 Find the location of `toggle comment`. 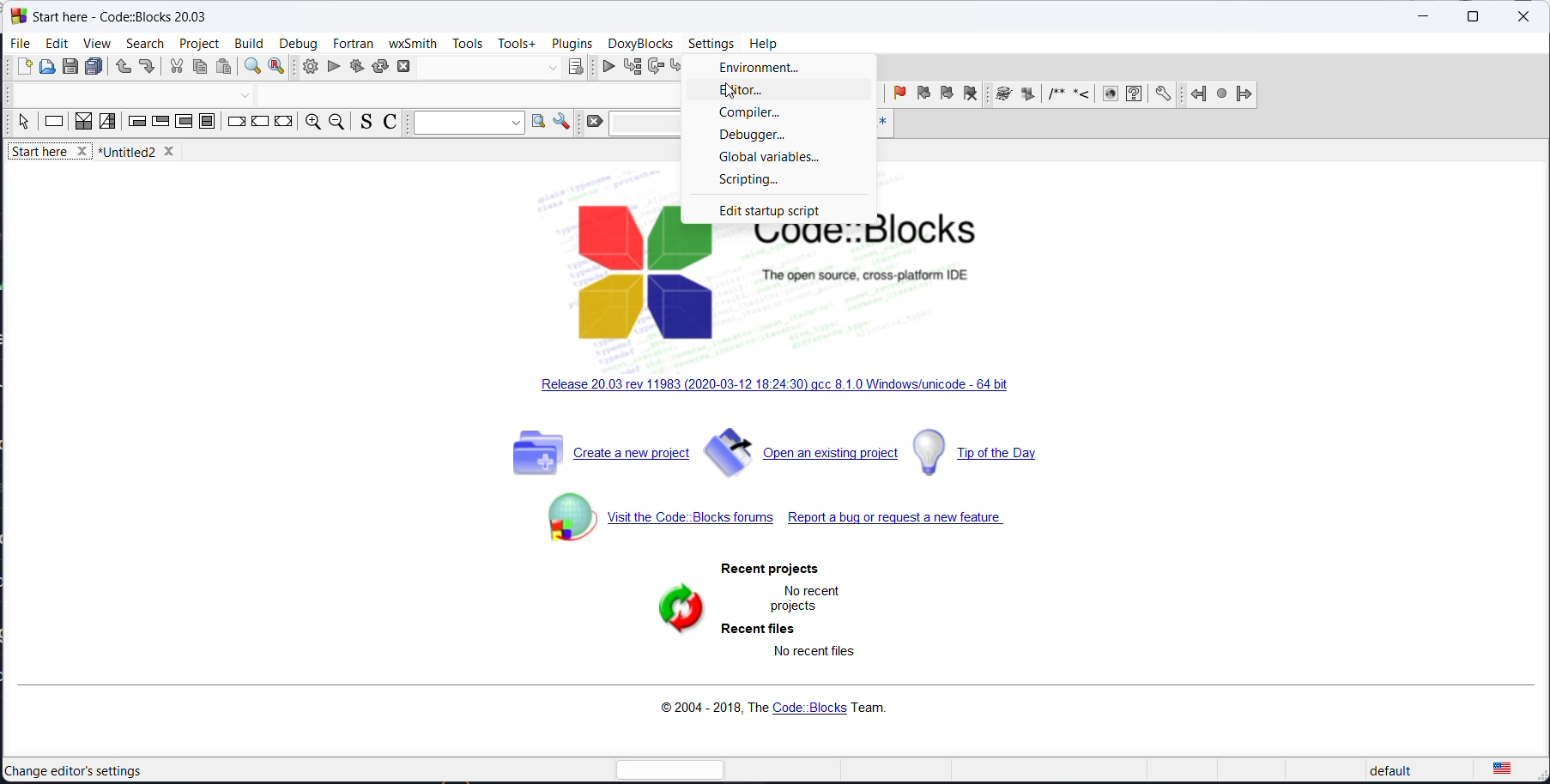

toggle comment is located at coordinates (392, 124).